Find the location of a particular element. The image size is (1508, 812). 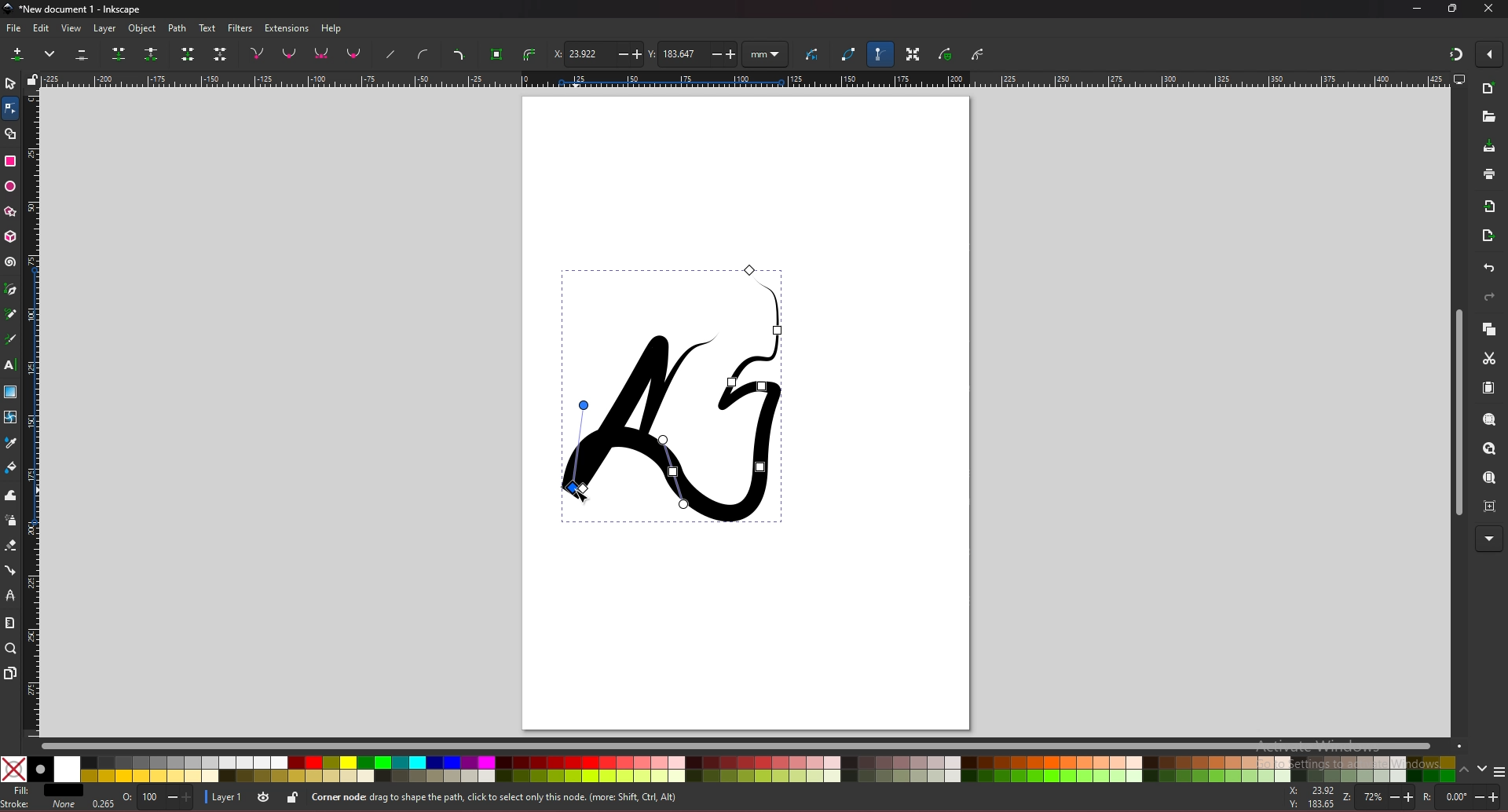

rotate is located at coordinates (1461, 796).